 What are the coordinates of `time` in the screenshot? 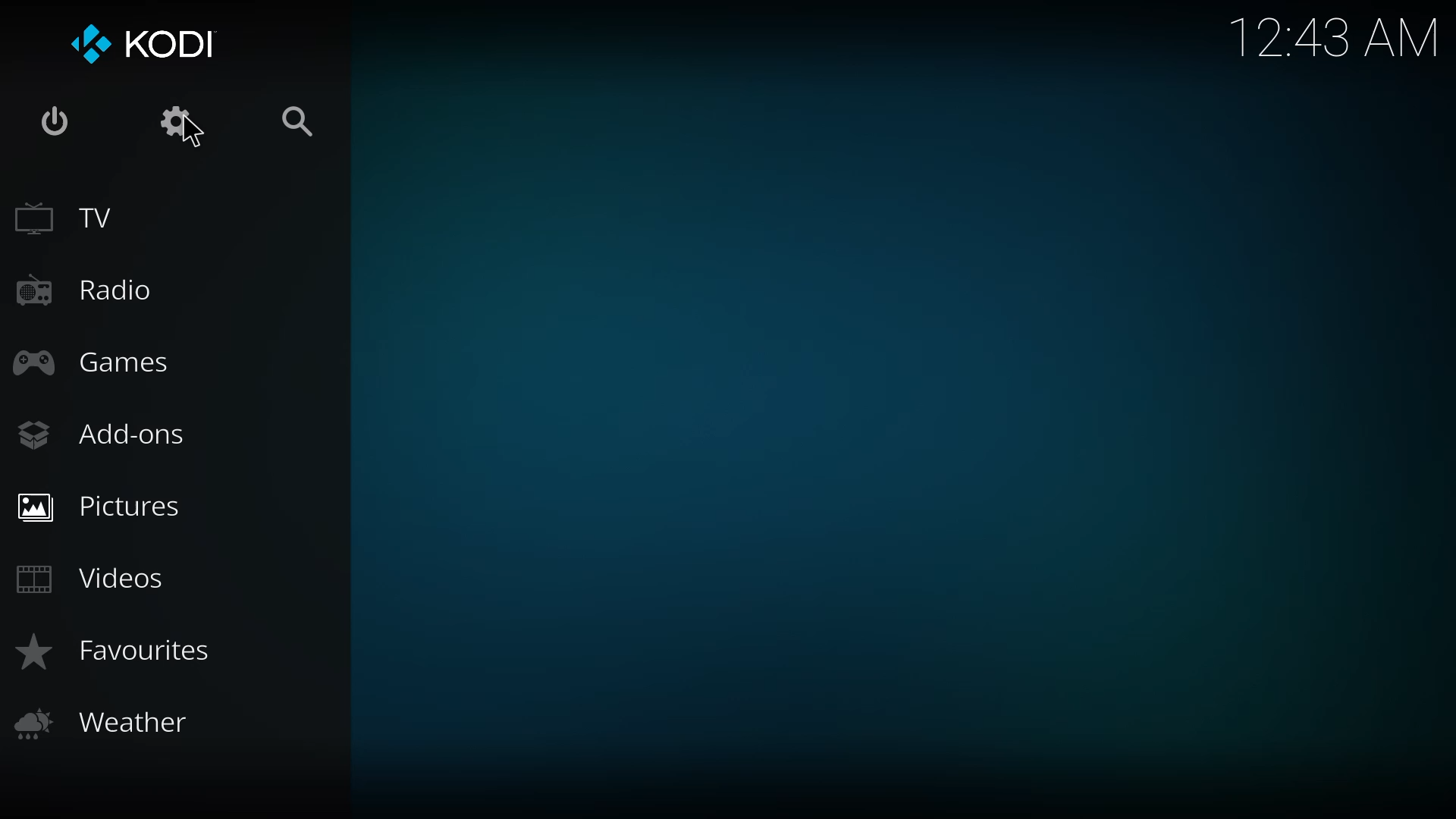 It's located at (1336, 37).